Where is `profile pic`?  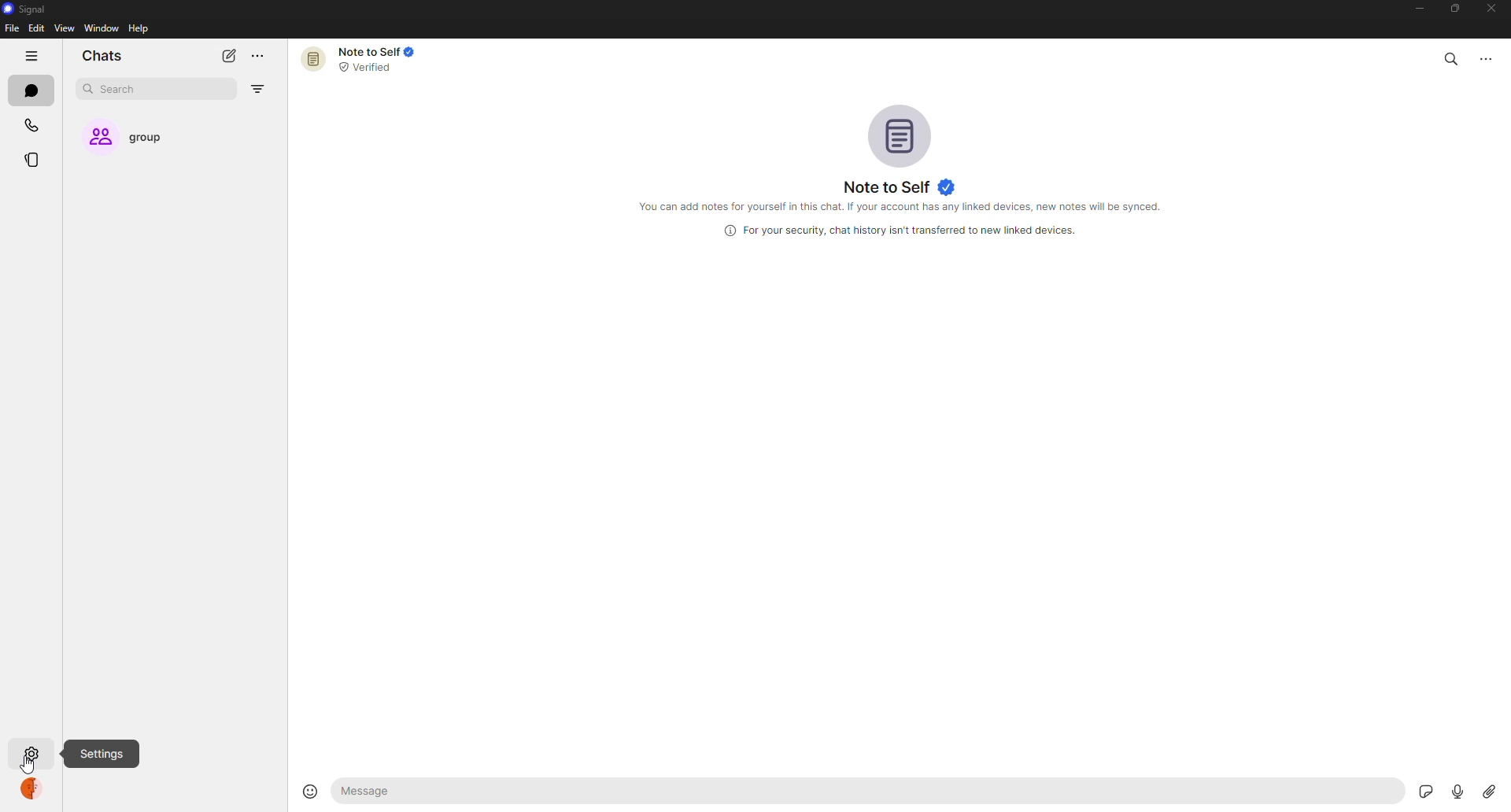
profile pic is located at coordinates (902, 134).